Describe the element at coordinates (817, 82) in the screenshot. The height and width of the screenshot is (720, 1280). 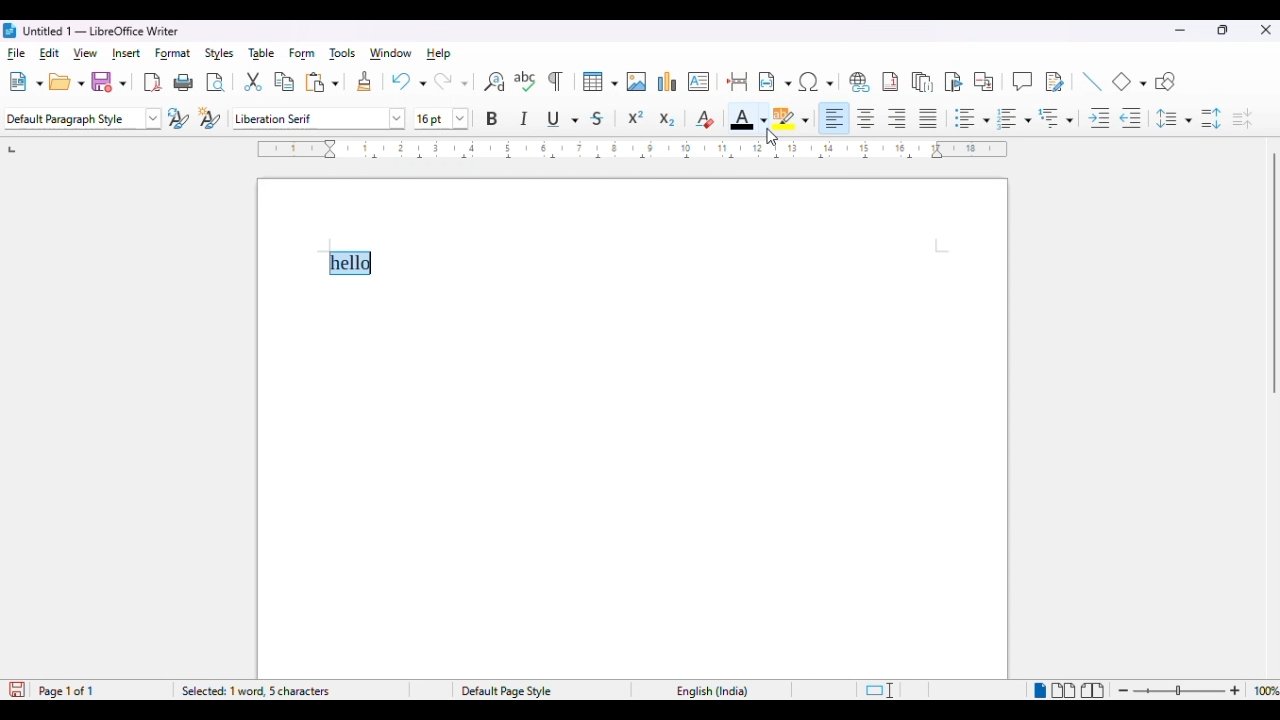
I see `insert special characters` at that location.